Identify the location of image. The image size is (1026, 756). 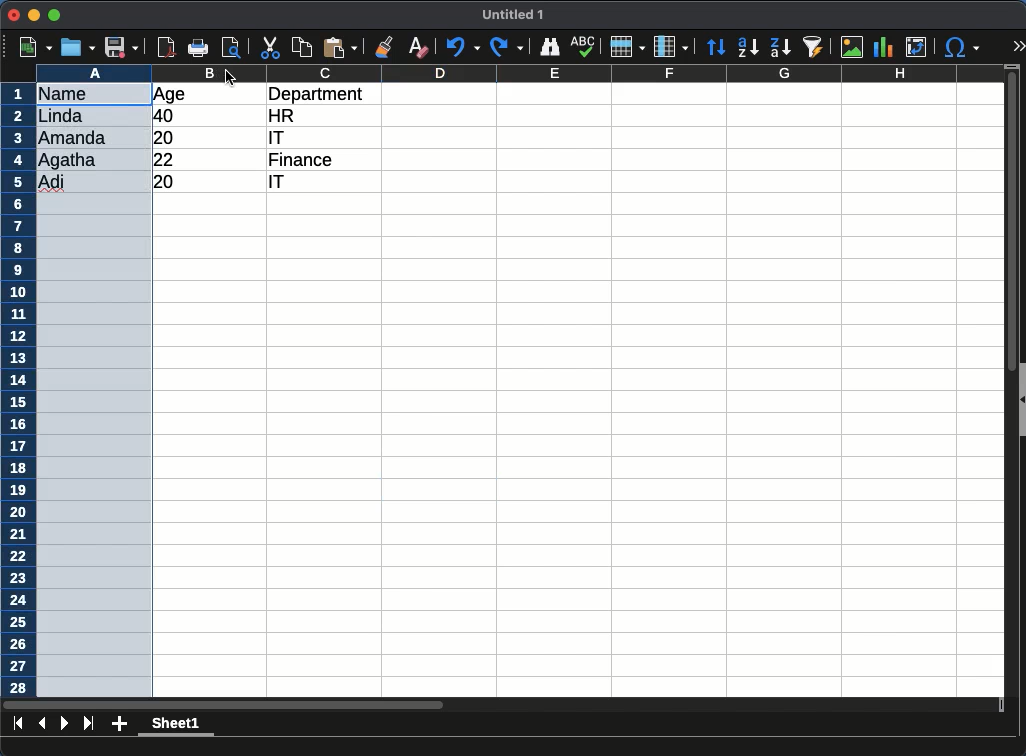
(851, 49).